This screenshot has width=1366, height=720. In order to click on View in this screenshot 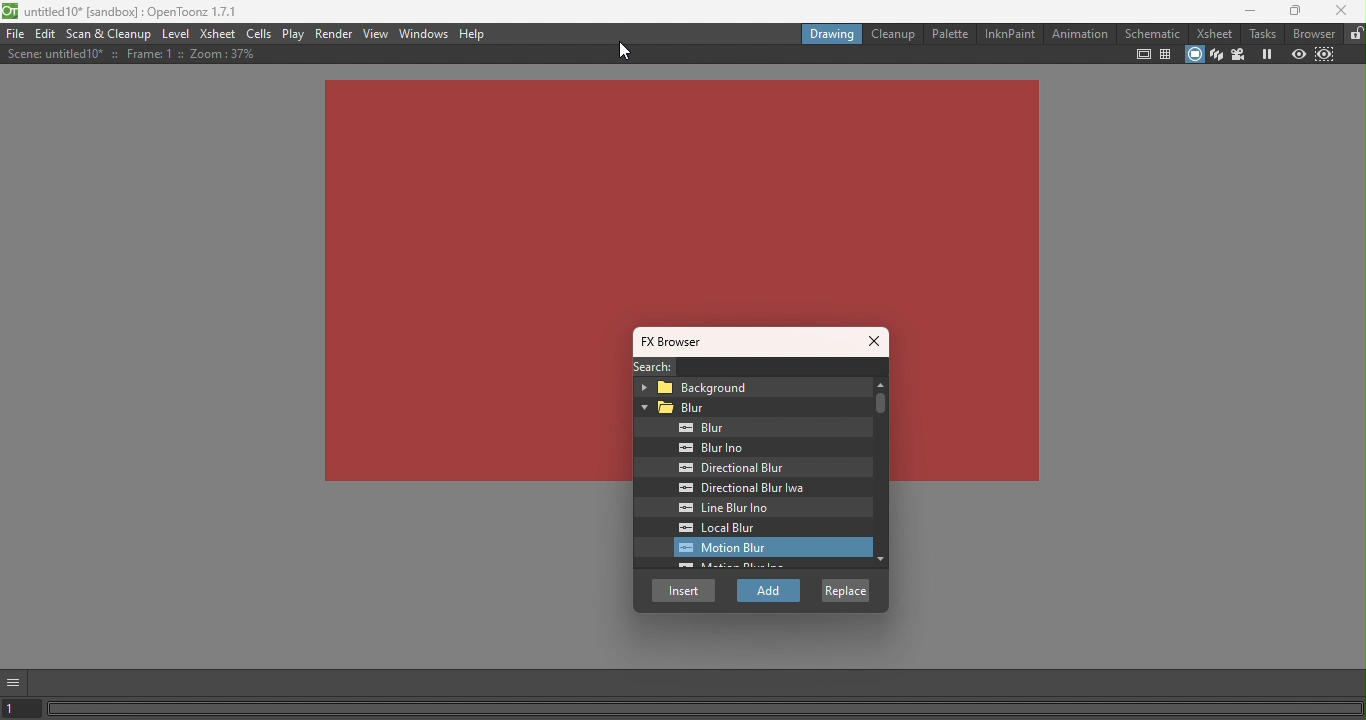, I will do `click(378, 32)`.